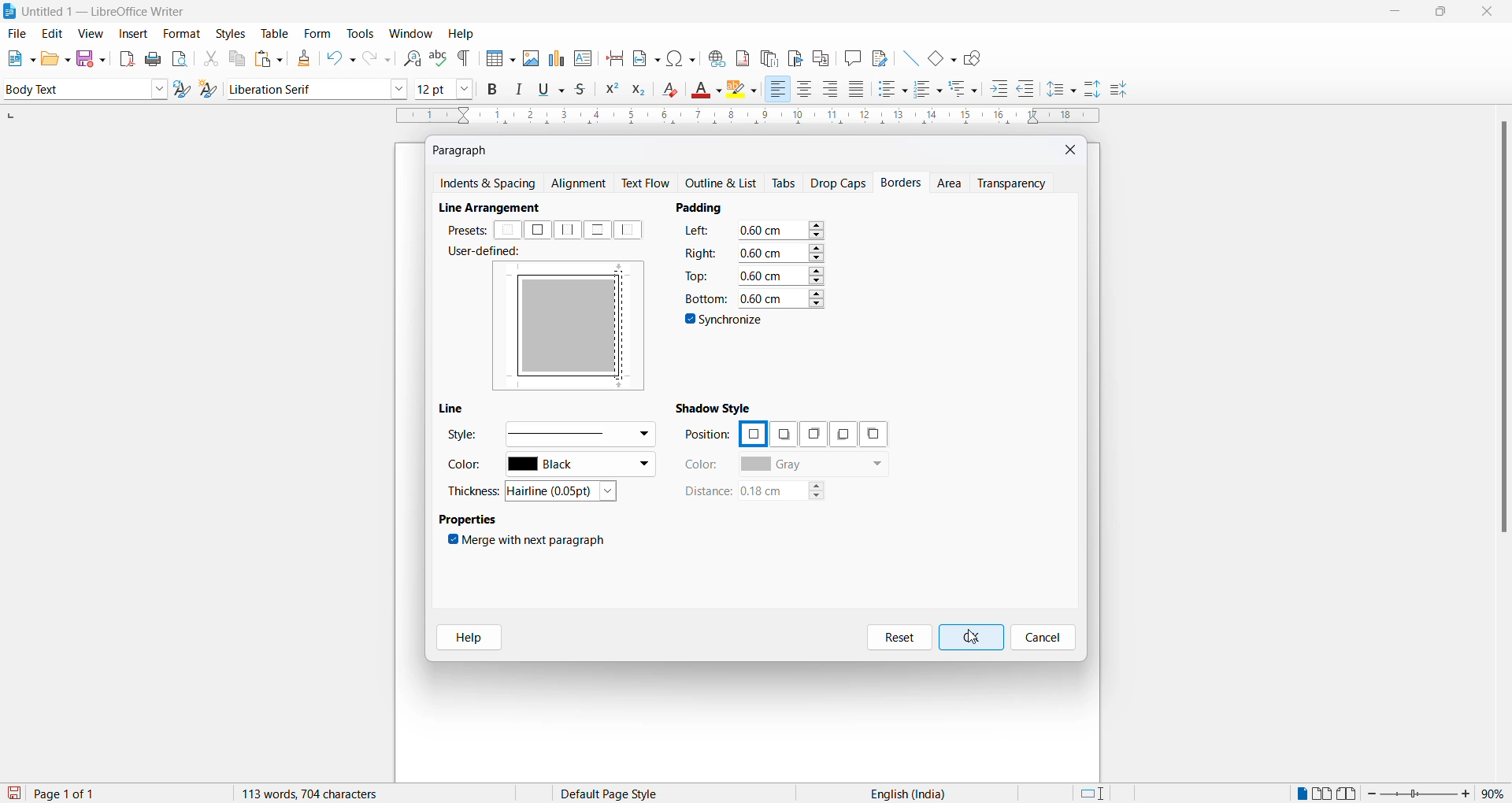 The image size is (1512, 803). What do you see at coordinates (585, 90) in the screenshot?
I see `strike through` at bounding box center [585, 90].